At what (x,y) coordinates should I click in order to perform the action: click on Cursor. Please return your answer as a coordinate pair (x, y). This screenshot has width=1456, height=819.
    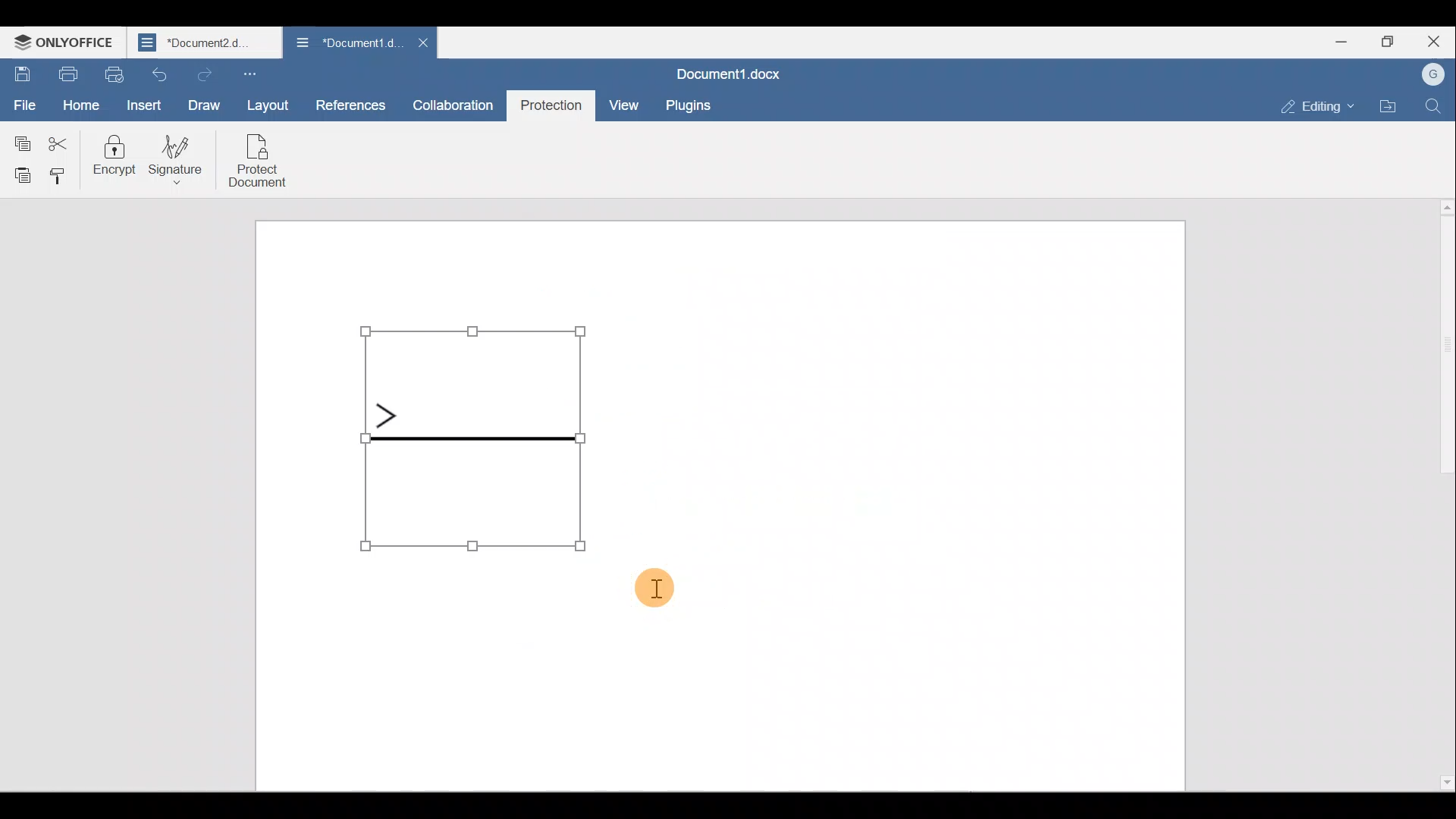
    Looking at the image, I should click on (659, 593).